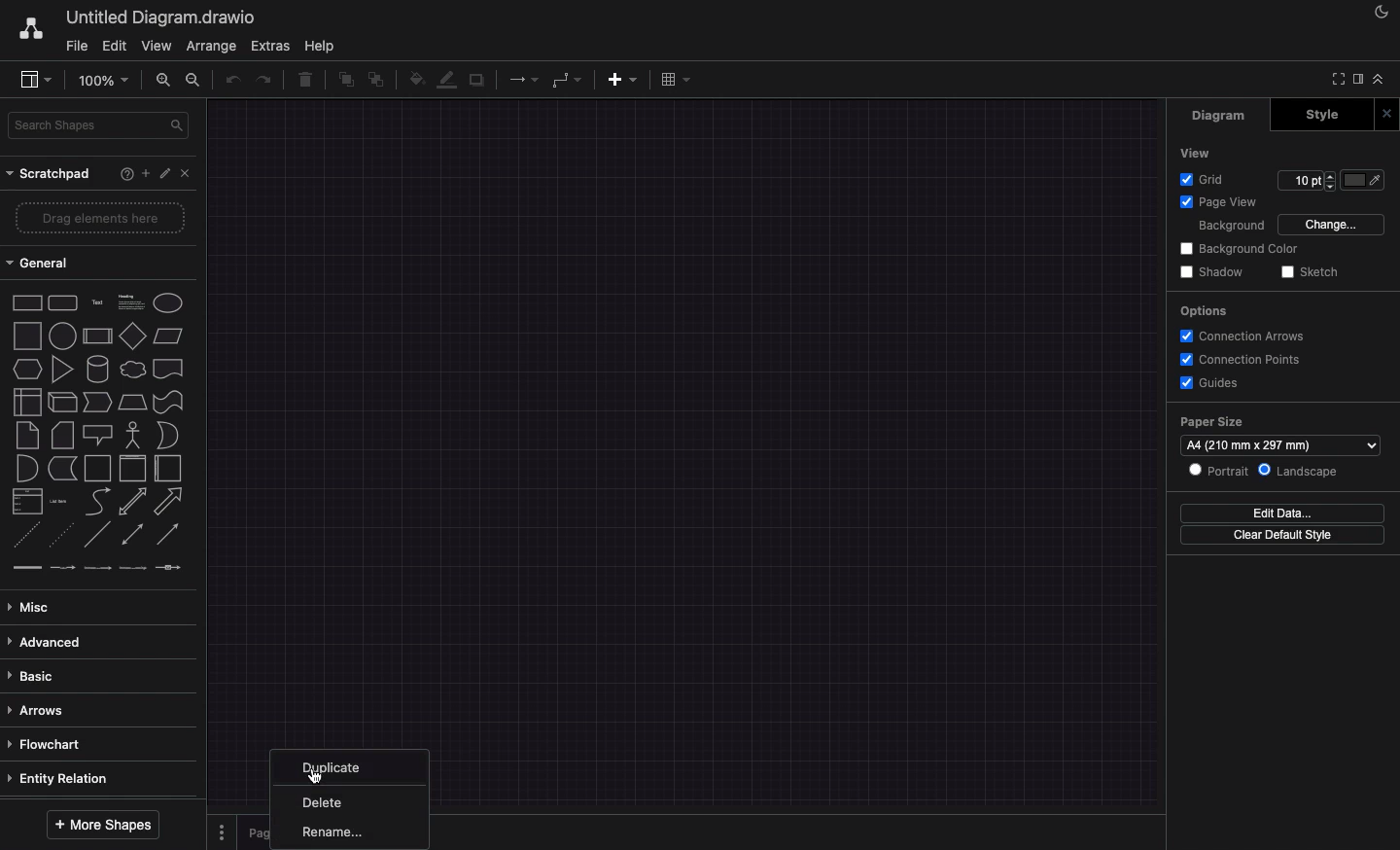 The width and height of the screenshot is (1400, 850). I want to click on fill color, so click(417, 80).